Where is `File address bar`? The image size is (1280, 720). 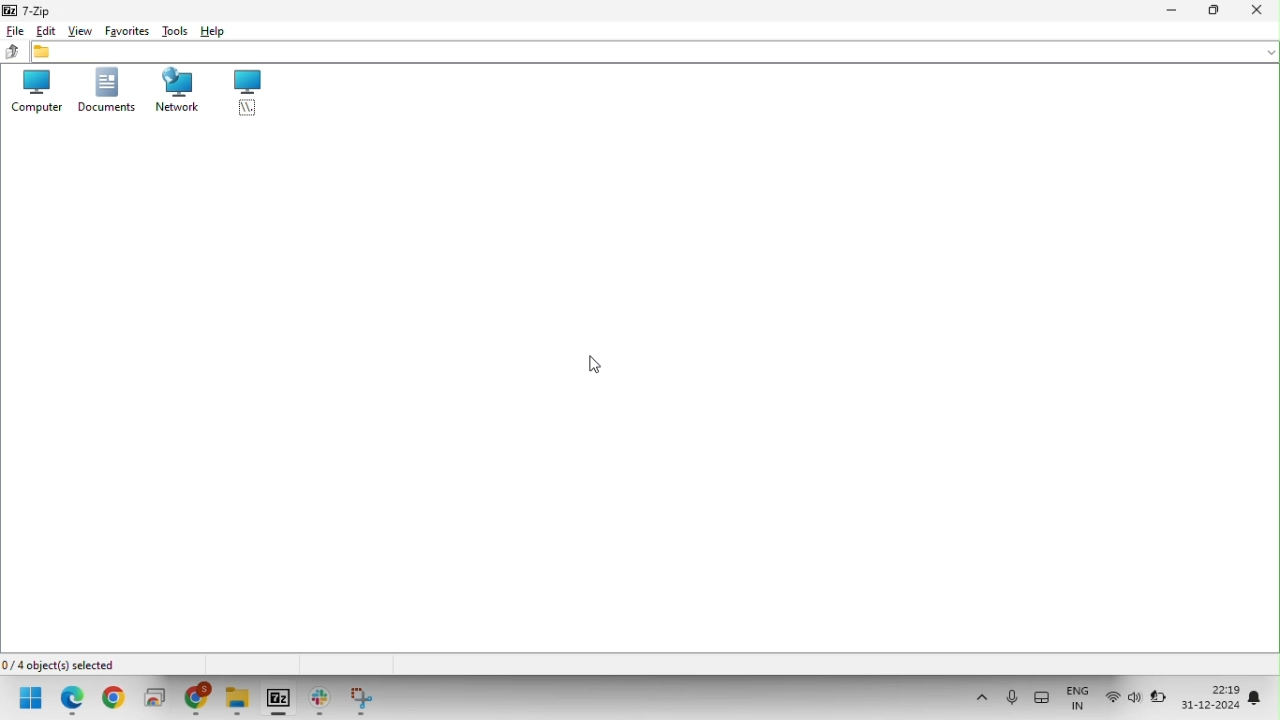
File address bar is located at coordinates (655, 53).